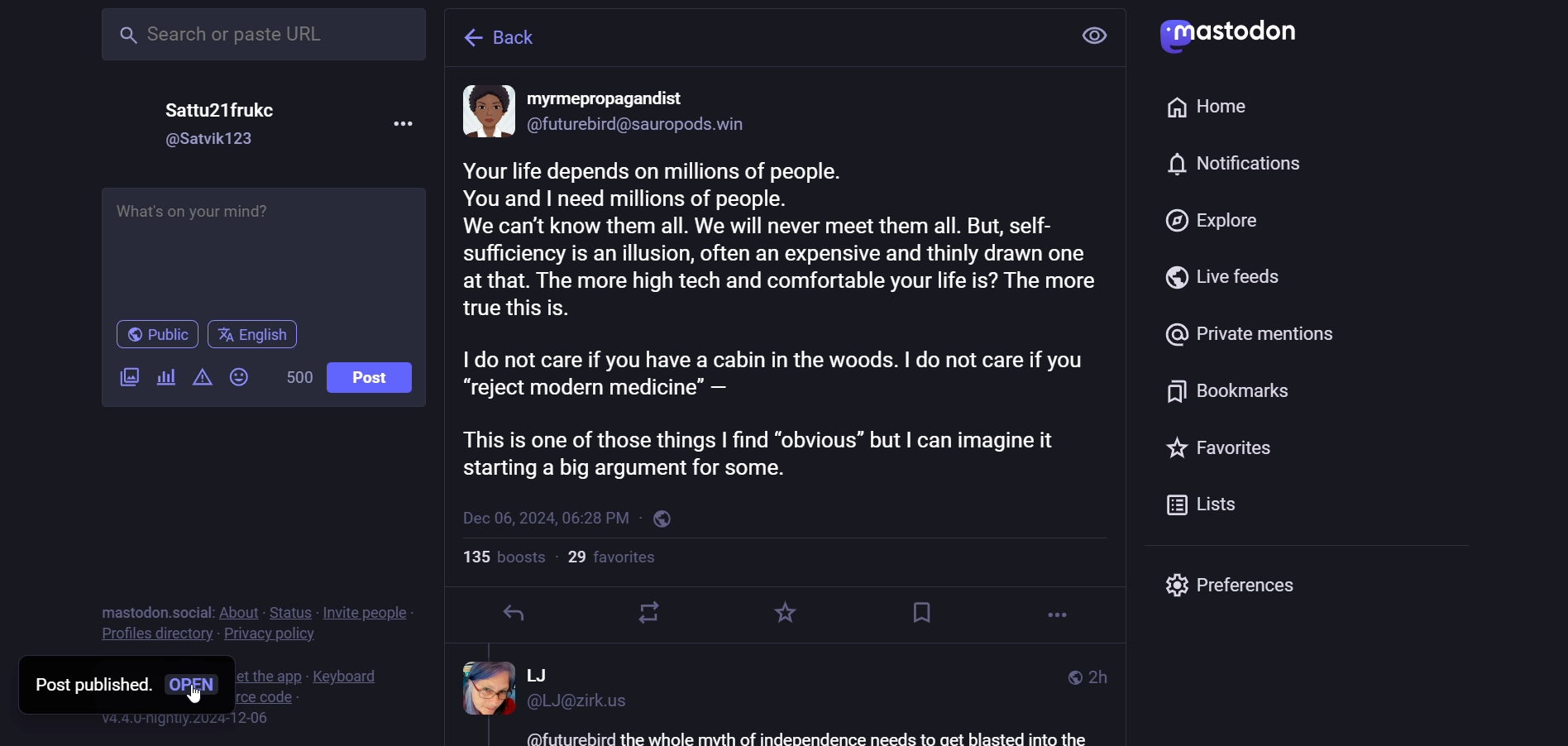 This screenshot has width=1568, height=746. What do you see at coordinates (123, 377) in the screenshot?
I see `images/videos` at bounding box center [123, 377].